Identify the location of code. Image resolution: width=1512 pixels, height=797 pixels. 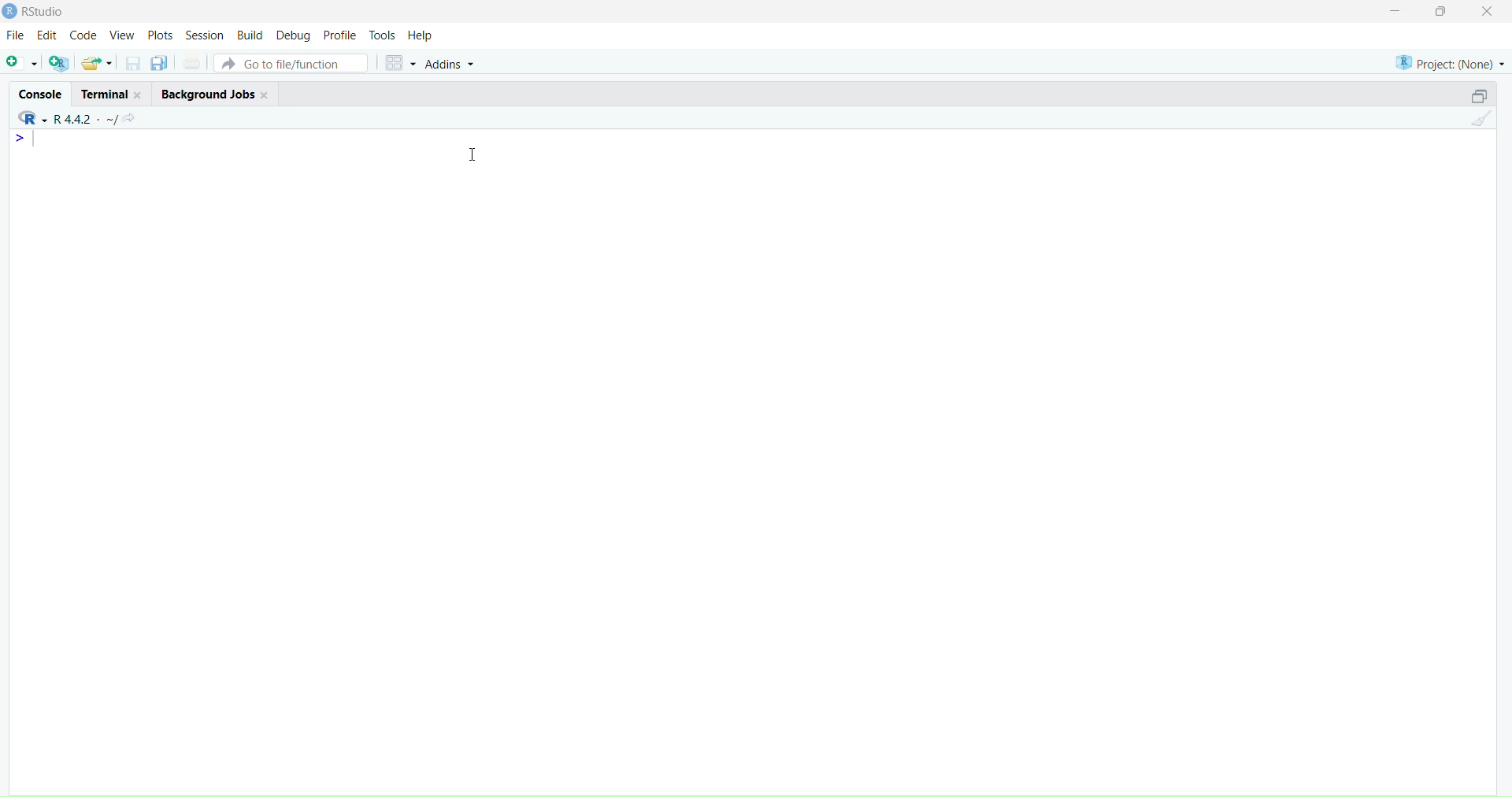
(83, 35).